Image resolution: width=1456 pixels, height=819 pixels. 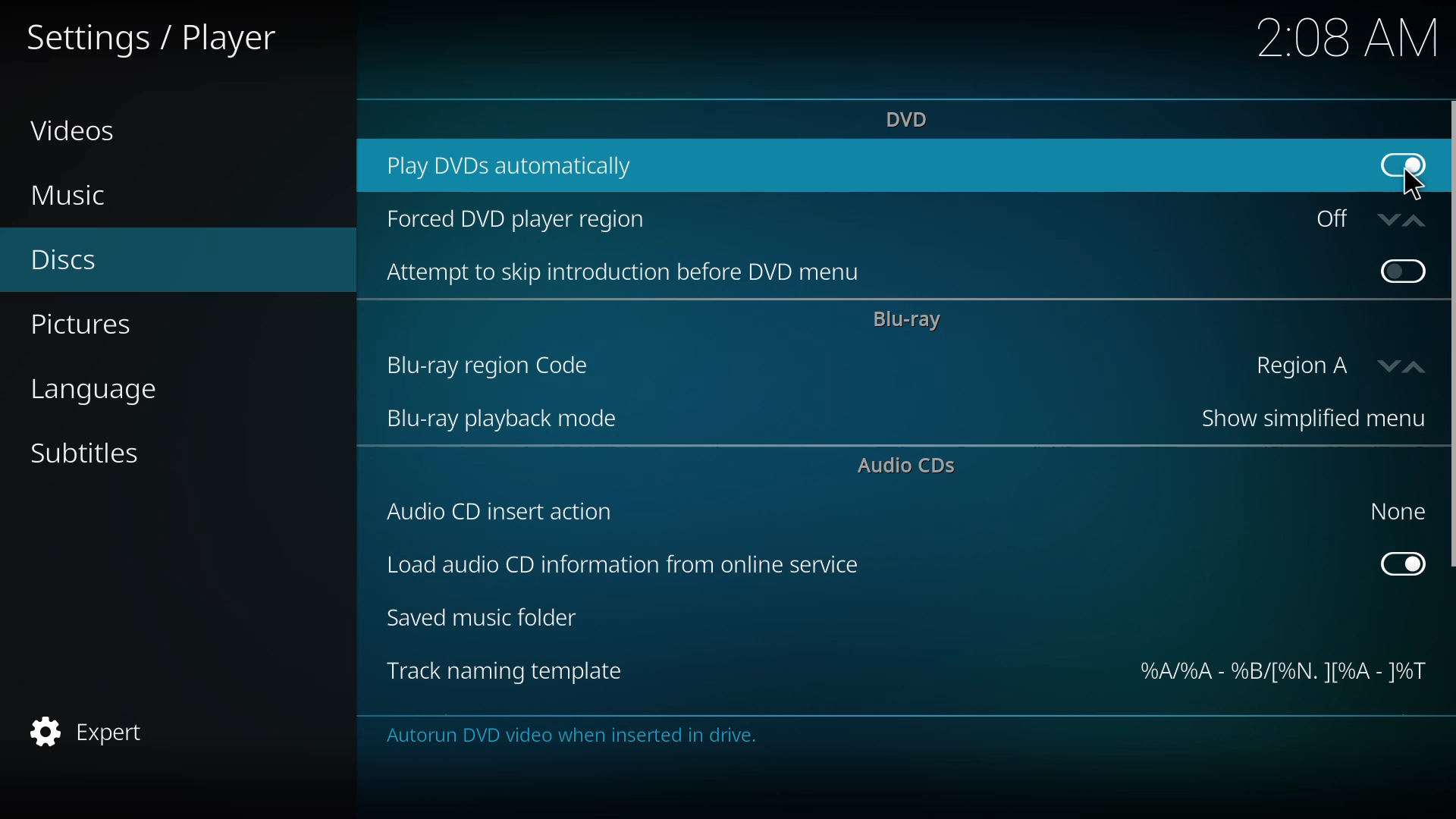 I want to click on bluray playback mode, so click(x=504, y=421).